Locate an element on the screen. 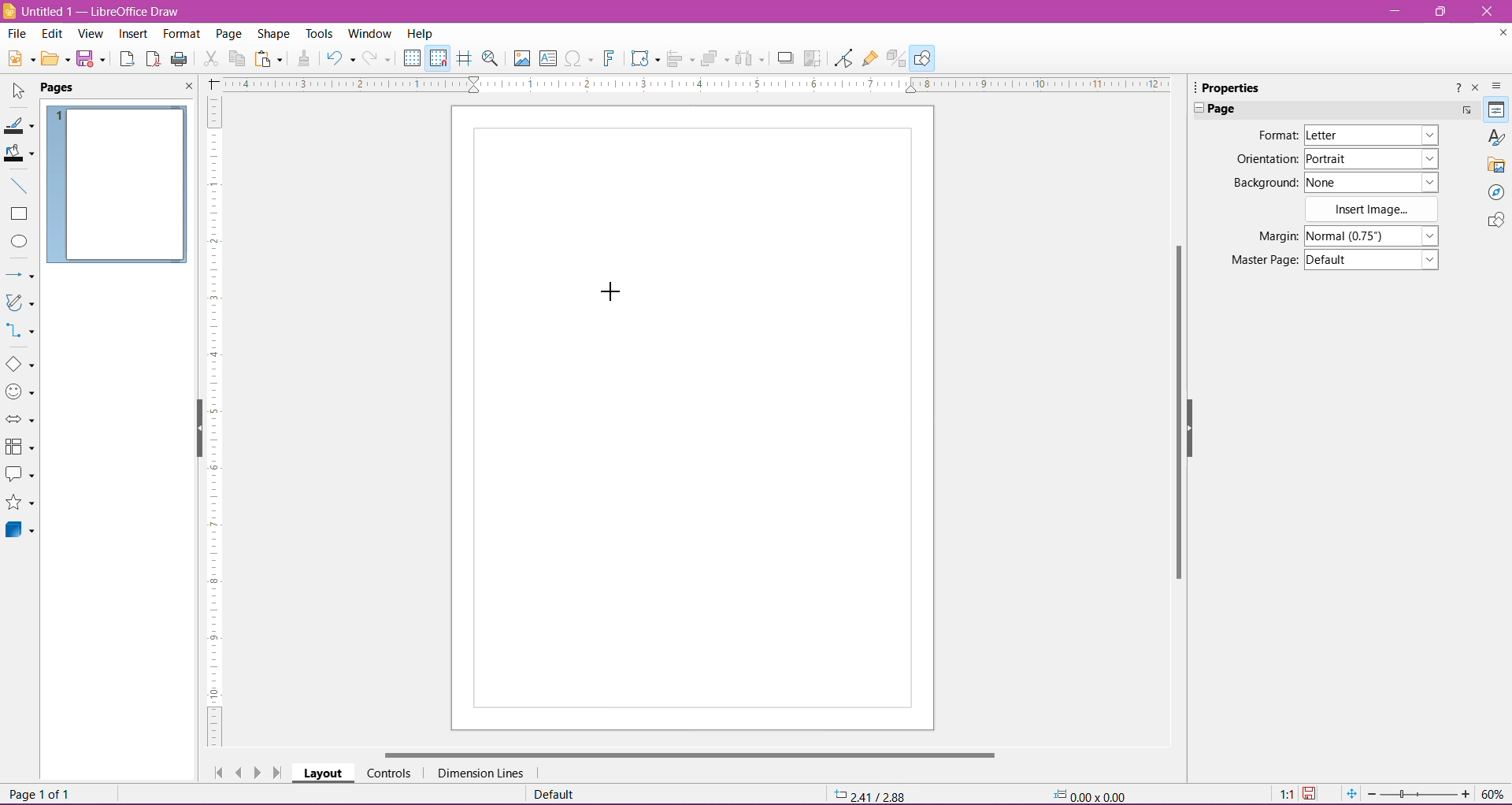 The width and height of the screenshot is (1512, 805). Show Gluepoint Functions is located at coordinates (871, 59).